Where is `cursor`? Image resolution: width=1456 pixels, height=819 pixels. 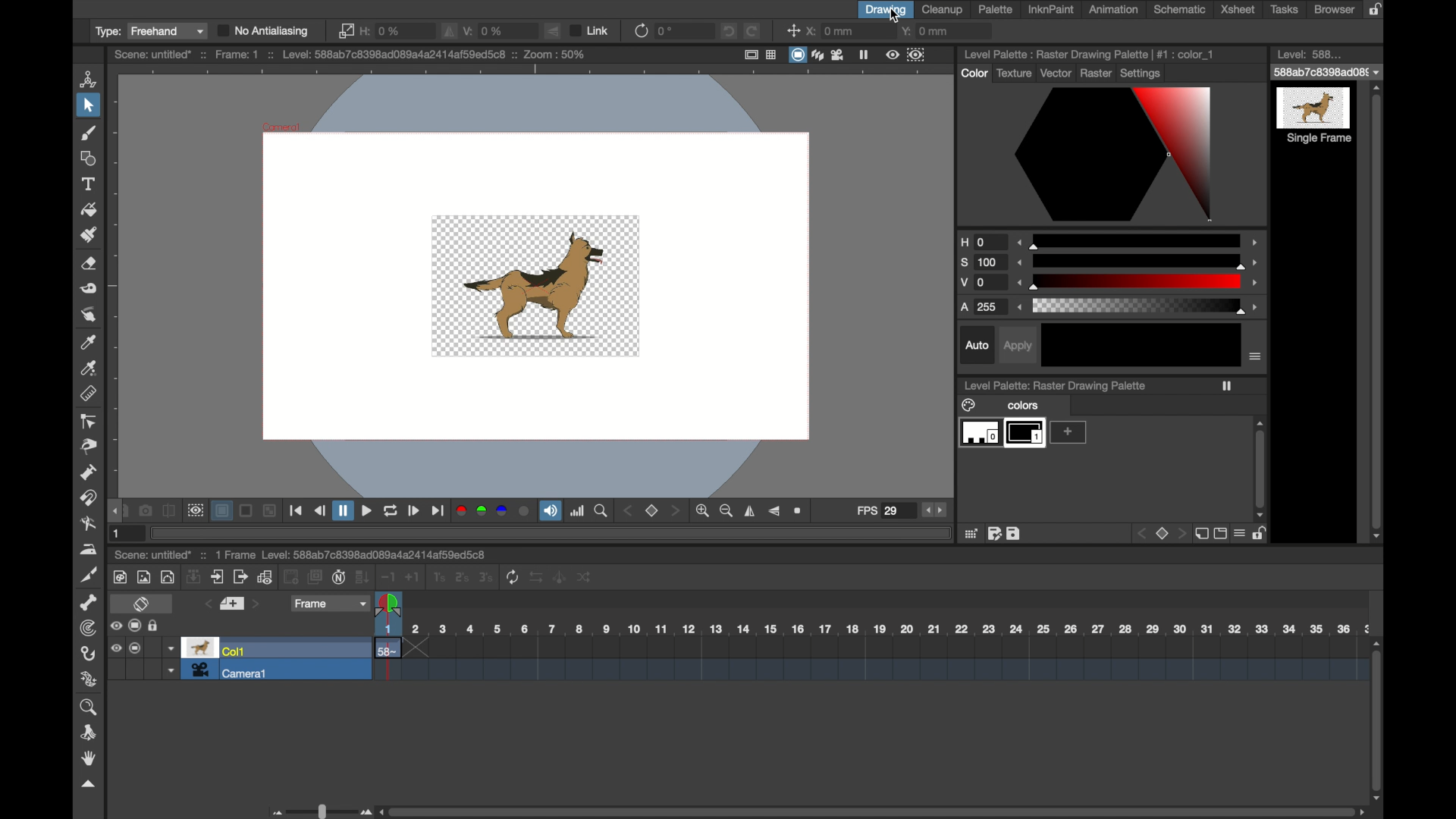 cursor is located at coordinates (893, 17).